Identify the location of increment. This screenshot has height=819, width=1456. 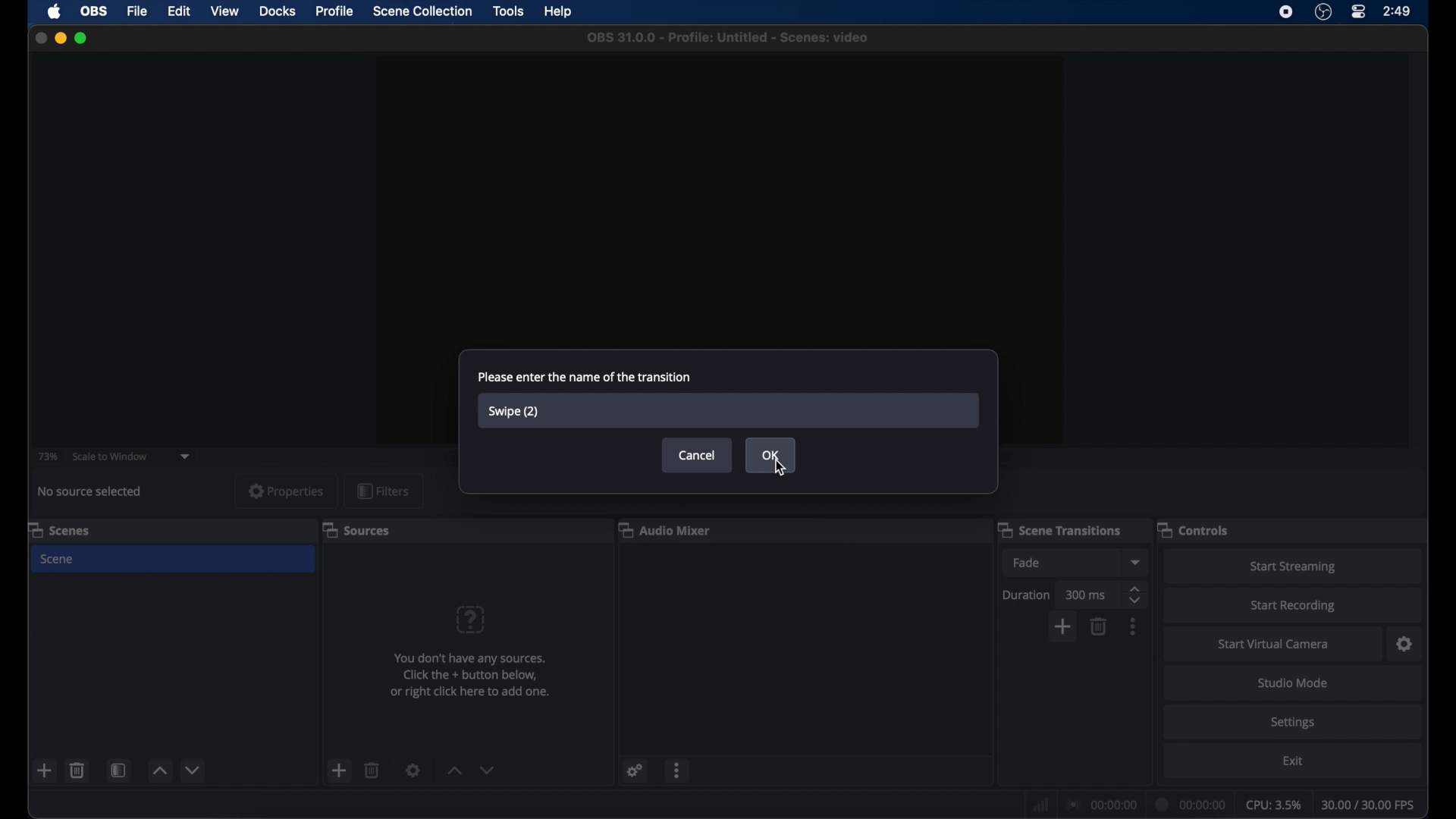
(159, 771).